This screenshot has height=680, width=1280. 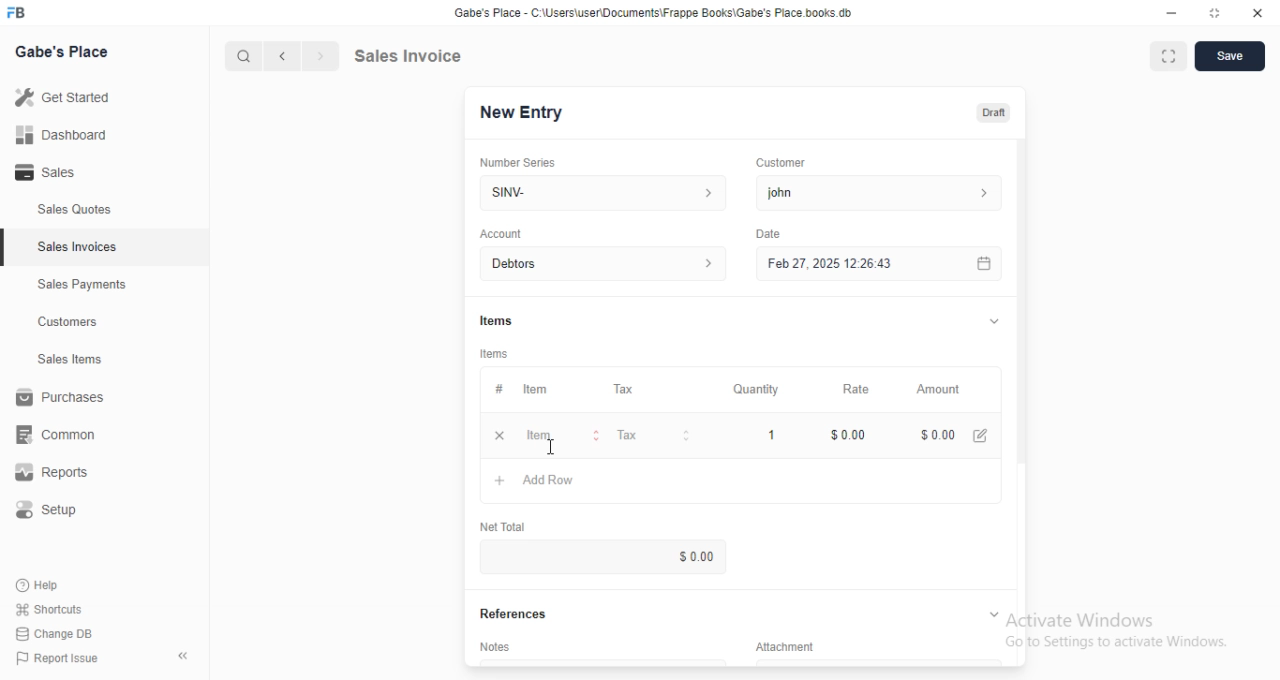 What do you see at coordinates (501, 233) in the screenshot?
I see `Account` at bounding box center [501, 233].